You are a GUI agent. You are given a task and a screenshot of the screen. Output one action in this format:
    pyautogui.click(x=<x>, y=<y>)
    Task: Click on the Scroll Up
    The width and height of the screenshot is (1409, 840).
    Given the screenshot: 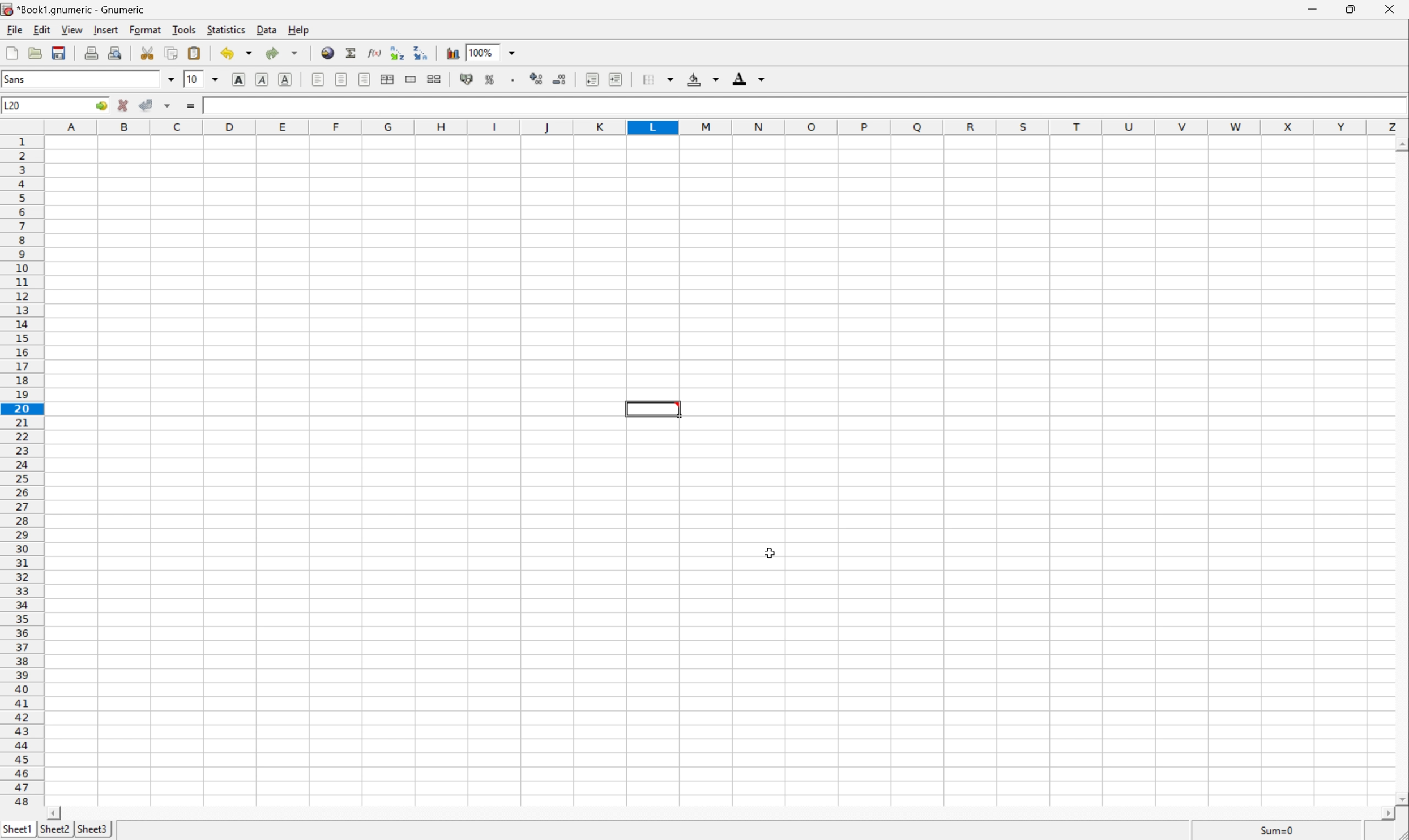 What is the action you would take?
    pyautogui.click(x=1400, y=144)
    